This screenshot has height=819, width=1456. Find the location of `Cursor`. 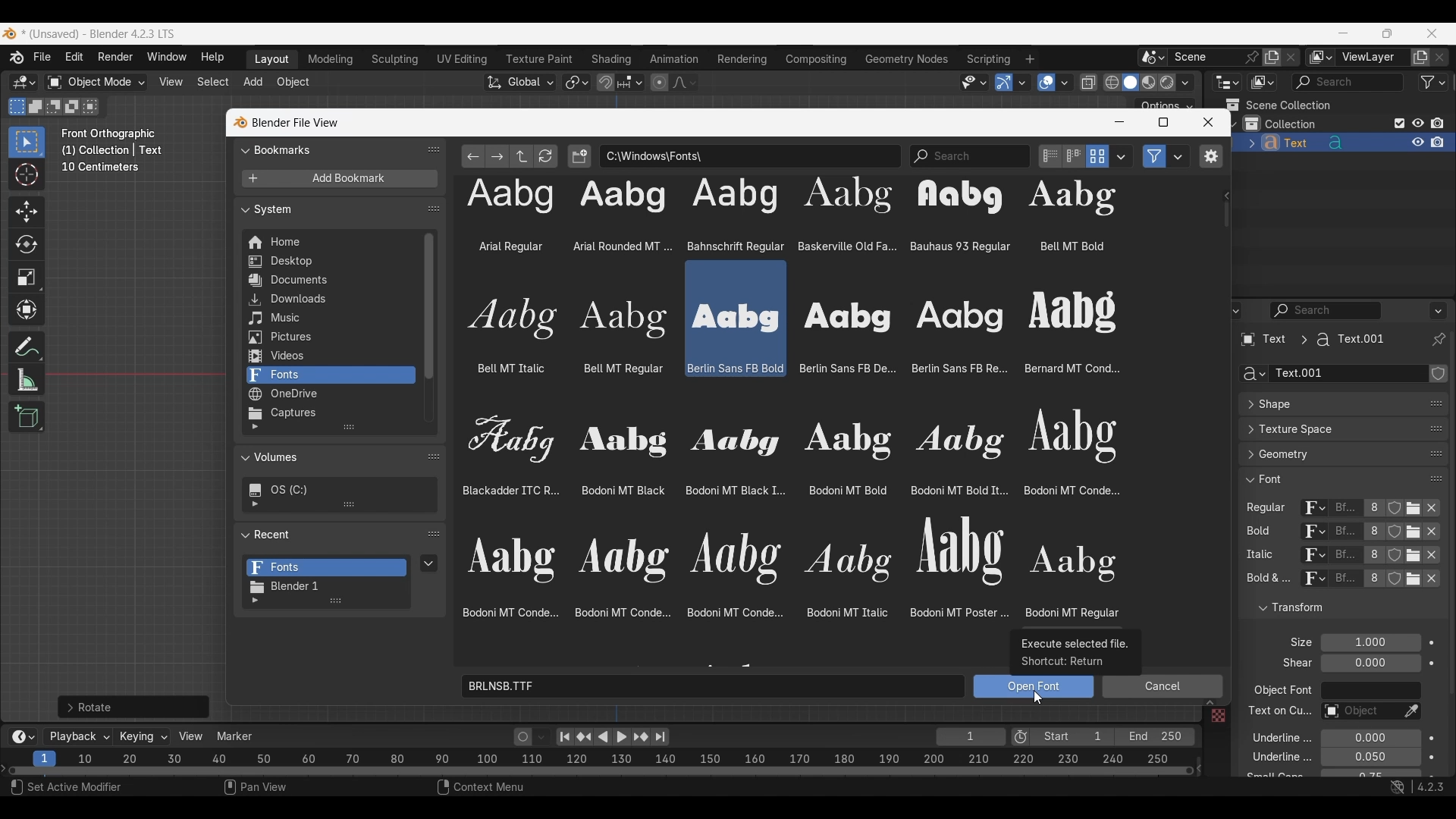

Cursor is located at coordinates (27, 176).